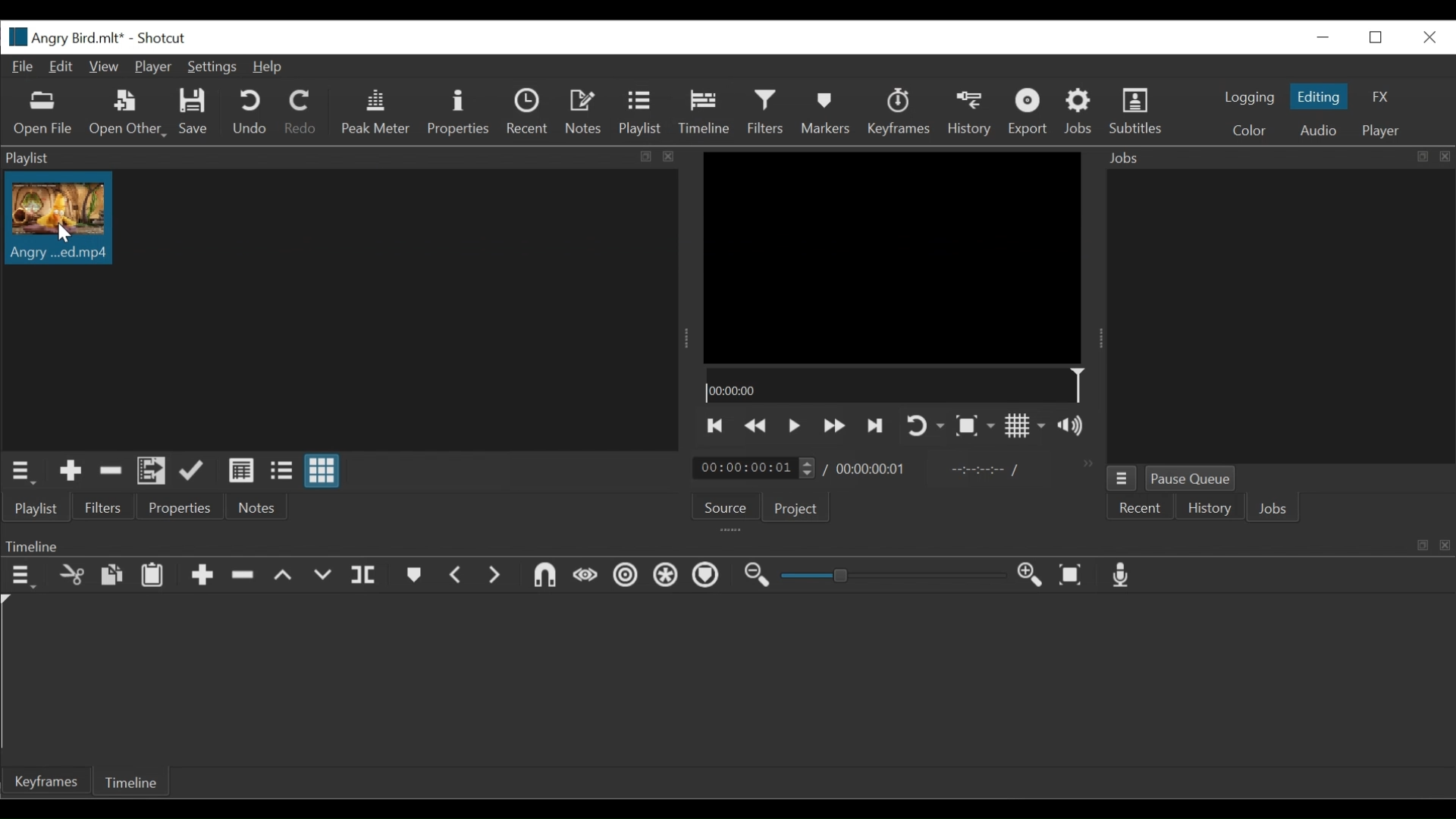 This screenshot has height=819, width=1456. Describe the element at coordinates (894, 256) in the screenshot. I see `Media Viewer` at that location.